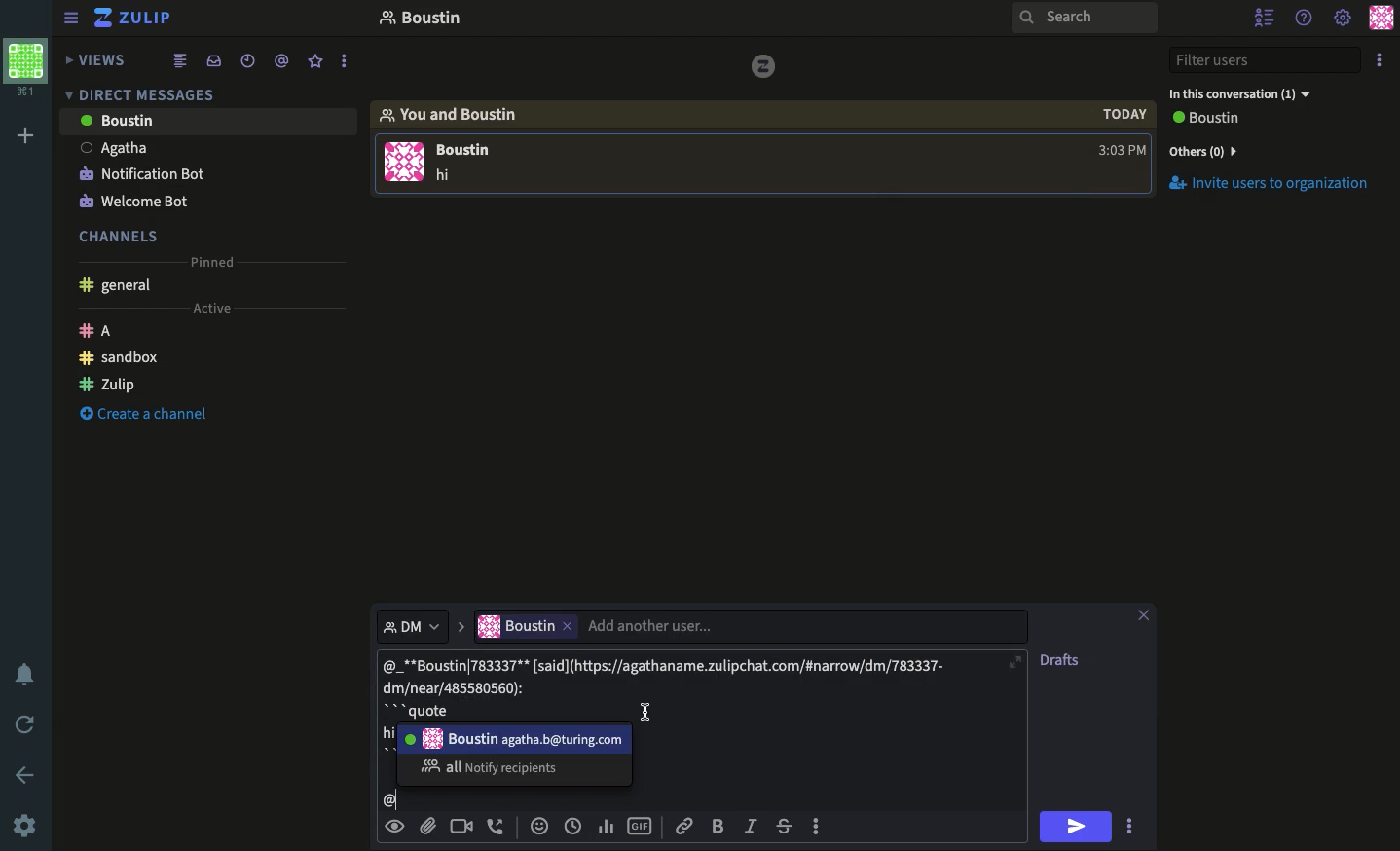  I want to click on Active, so click(219, 308).